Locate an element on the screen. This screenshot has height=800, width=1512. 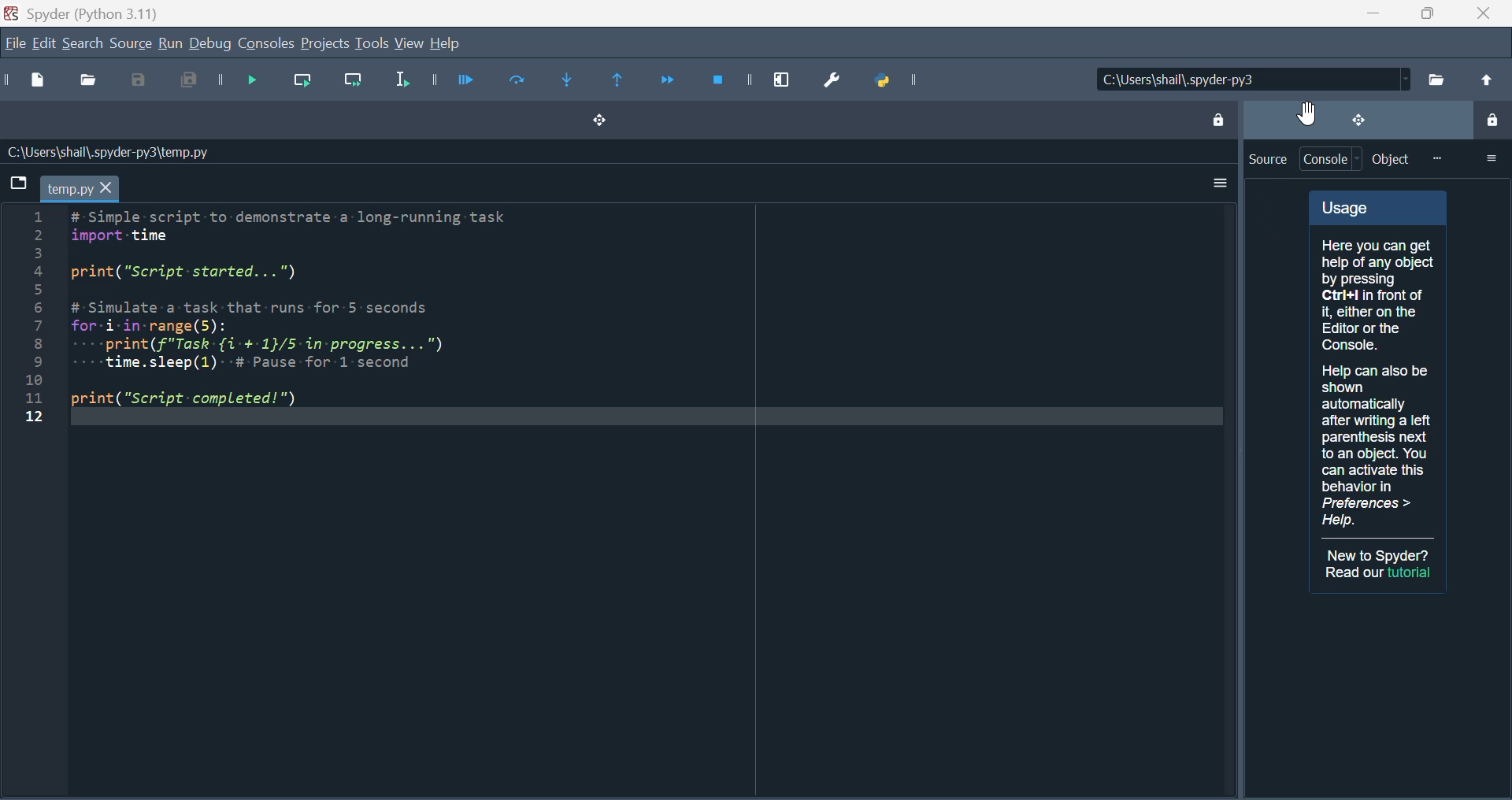
New file is located at coordinates (41, 83).